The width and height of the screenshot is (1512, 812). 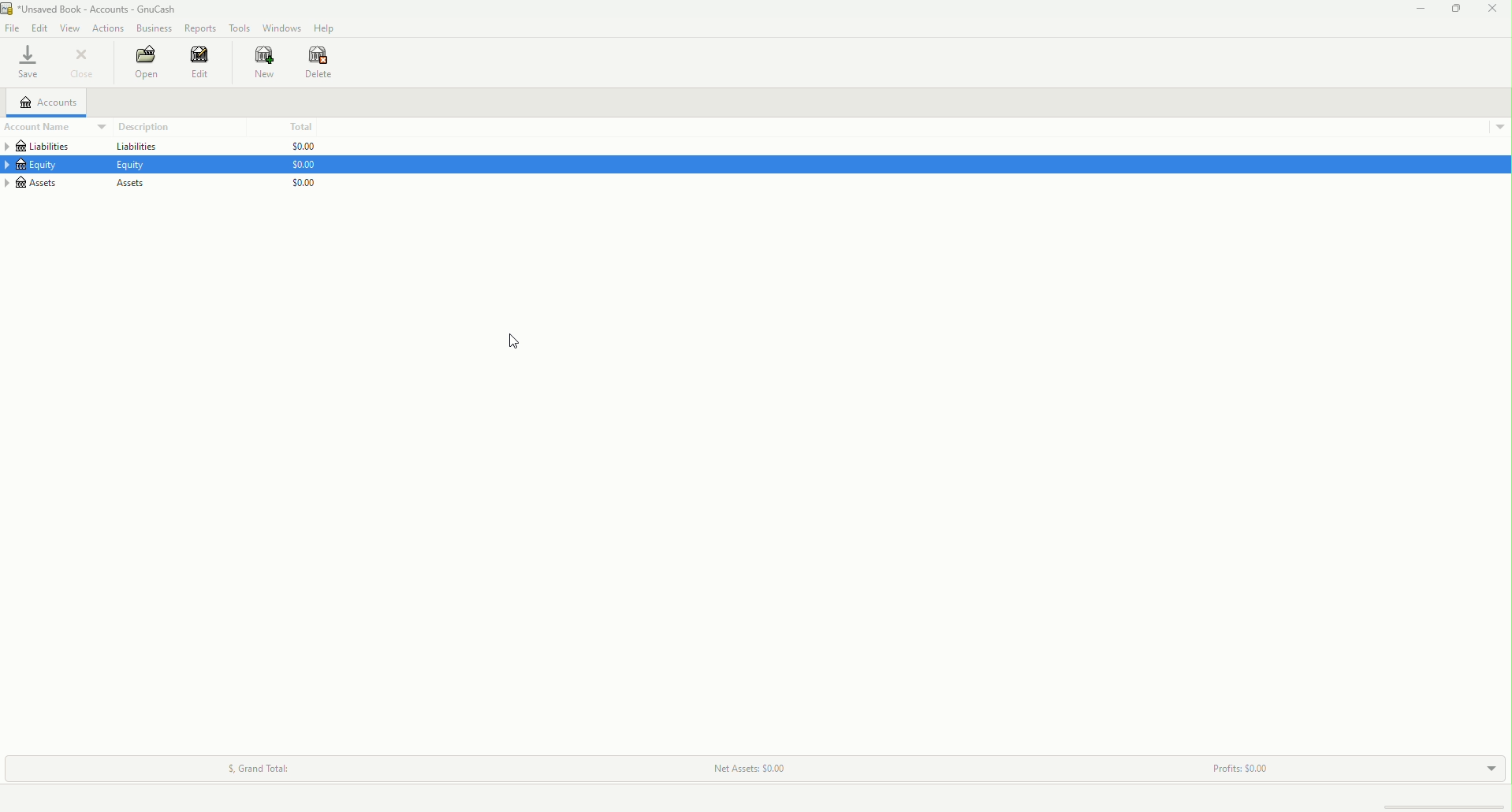 I want to click on , so click(x=133, y=166).